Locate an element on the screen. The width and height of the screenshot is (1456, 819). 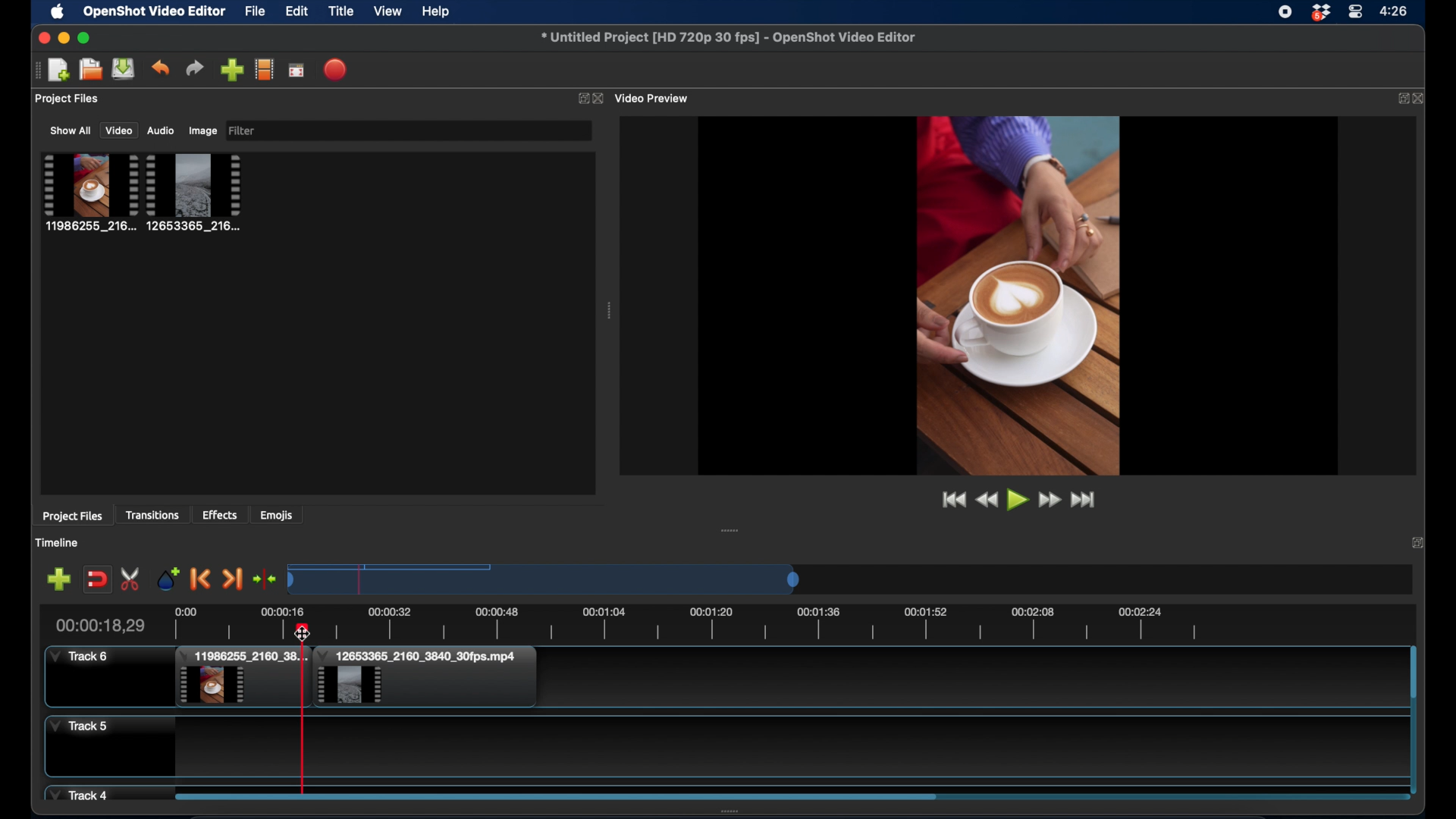
disable snapping is located at coordinates (97, 578).